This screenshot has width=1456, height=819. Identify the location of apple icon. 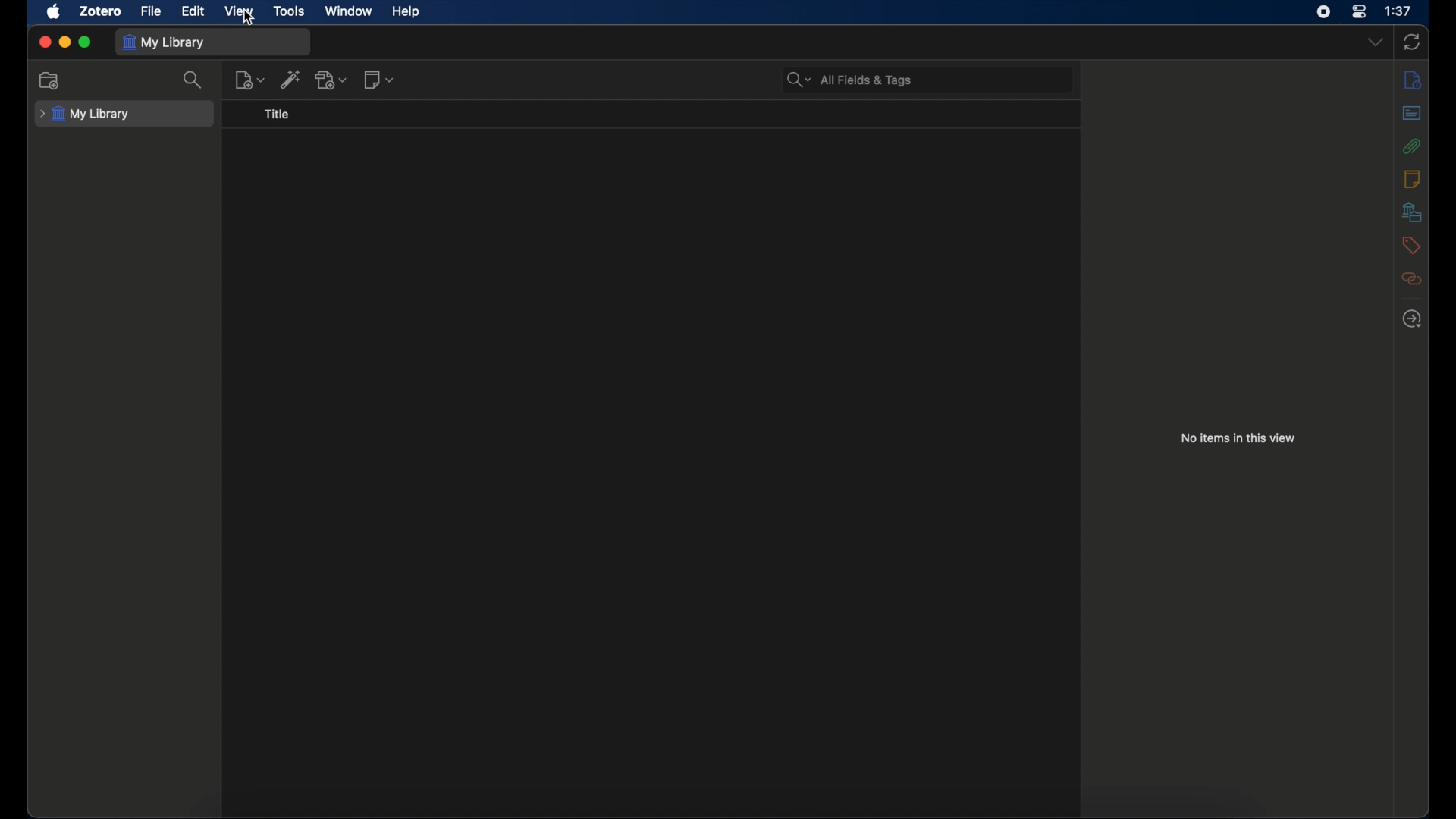
(54, 12).